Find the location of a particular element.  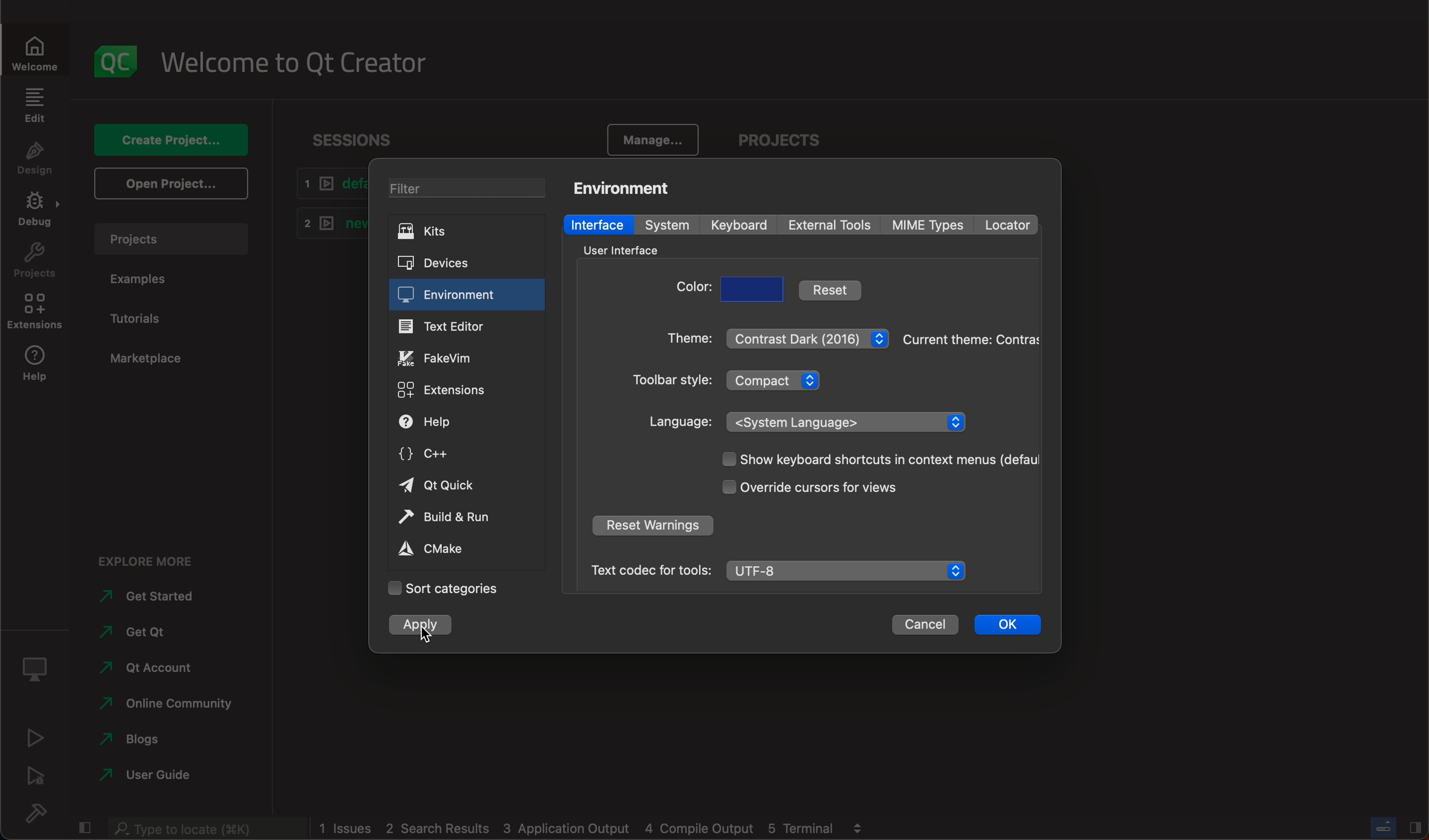

open is located at coordinates (169, 183).